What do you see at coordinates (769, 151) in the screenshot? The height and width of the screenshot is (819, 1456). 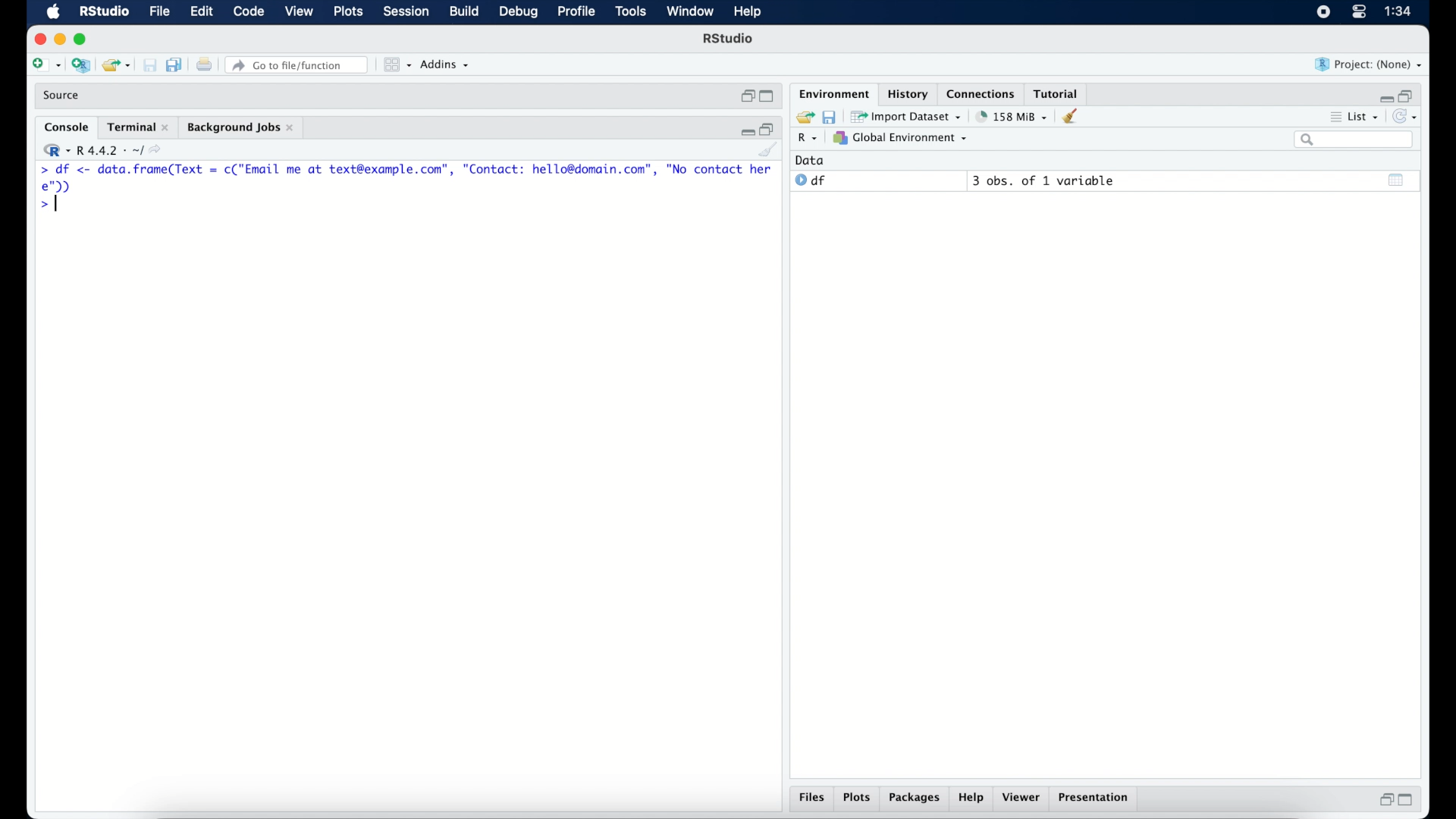 I see `clear console` at bounding box center [769, 151].